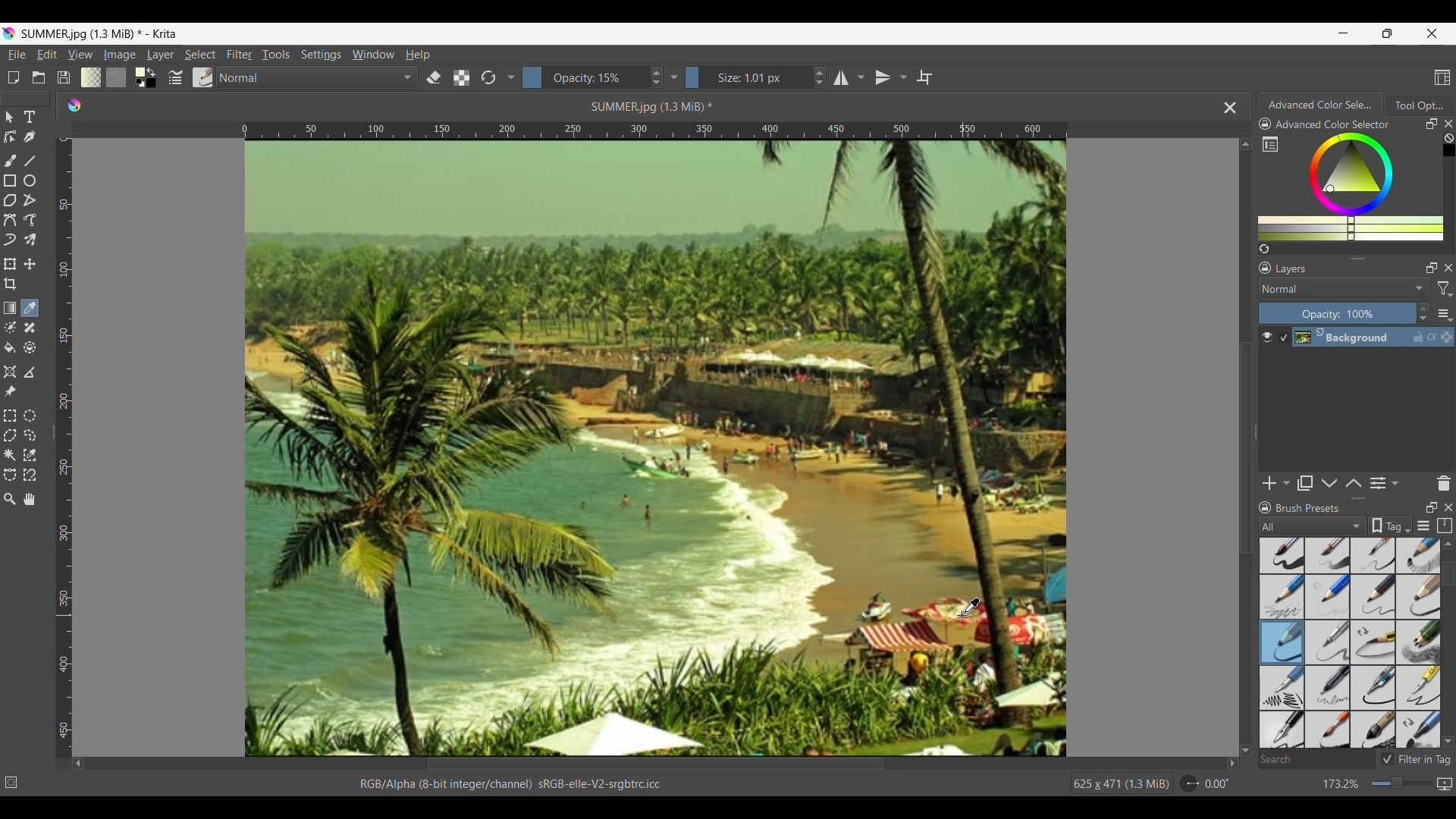  What do you see at coordinates (1448, 742) in the screenshot?
I see `Quick slide to bottom` at bounding box center [1448, 742].